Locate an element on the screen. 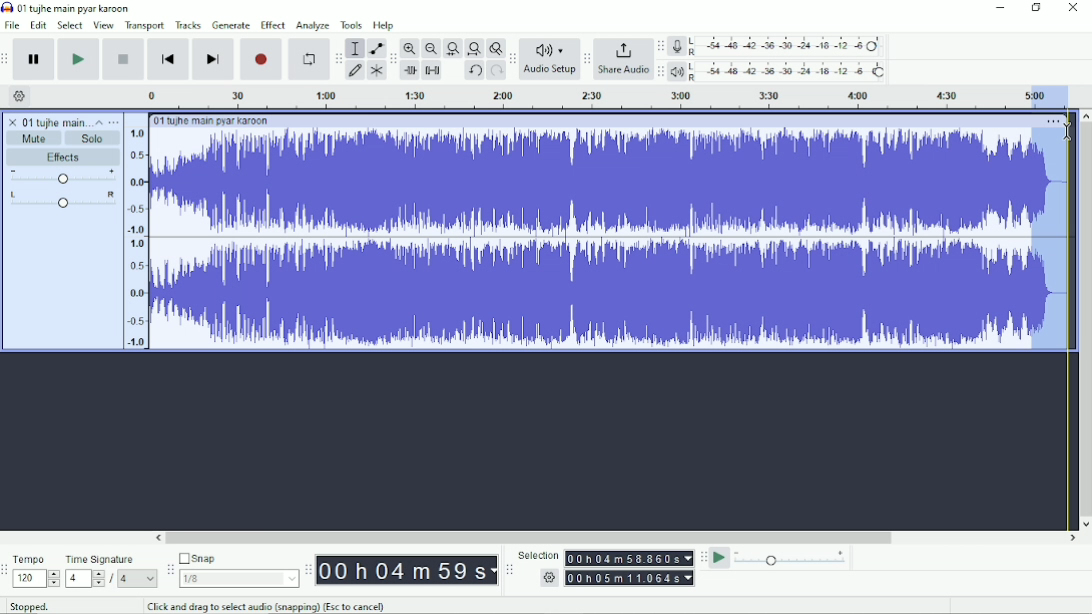  Audacity snapping toolbar is located at coordinates (170, 569).